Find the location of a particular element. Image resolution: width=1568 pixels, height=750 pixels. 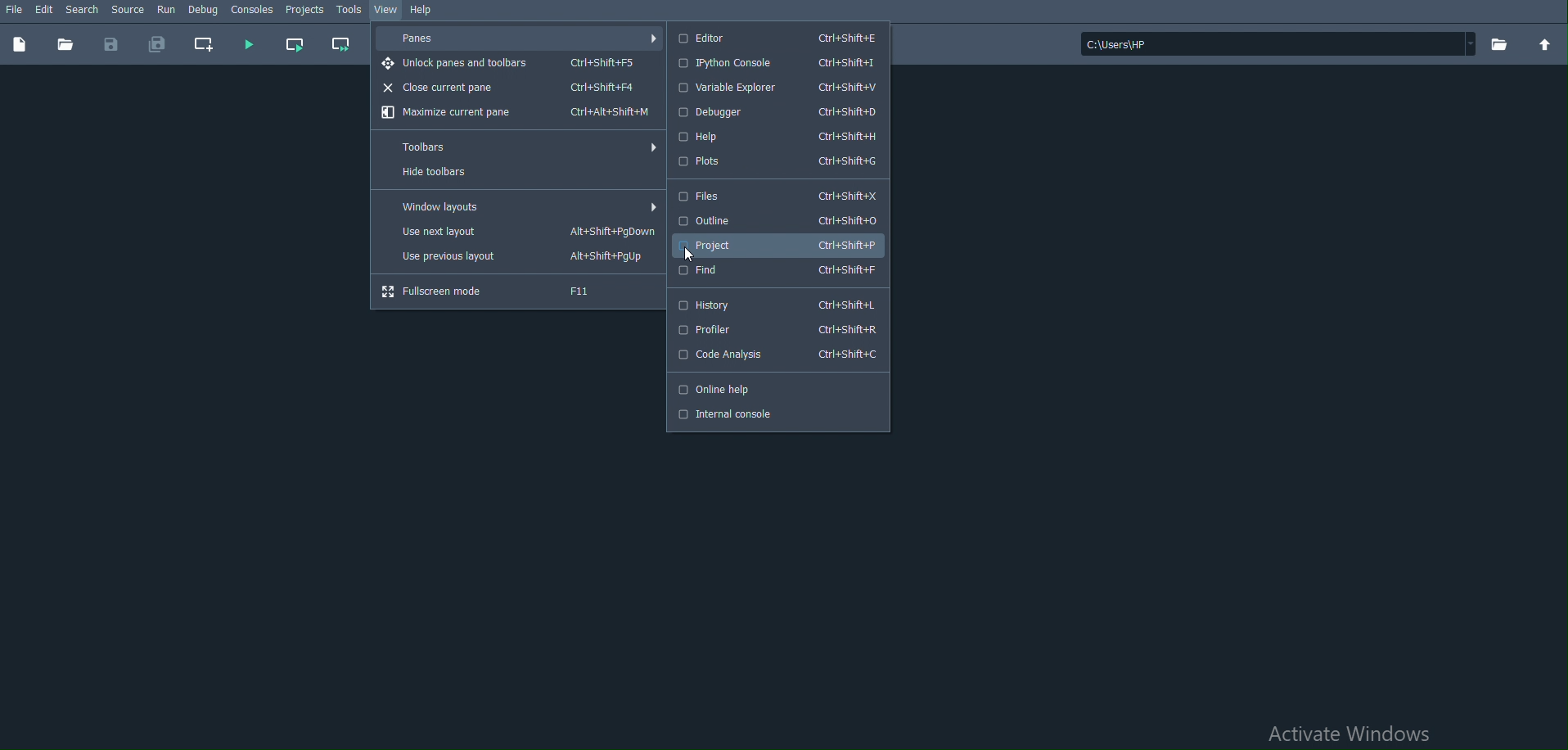

Source is located at coordinates (128, 8).